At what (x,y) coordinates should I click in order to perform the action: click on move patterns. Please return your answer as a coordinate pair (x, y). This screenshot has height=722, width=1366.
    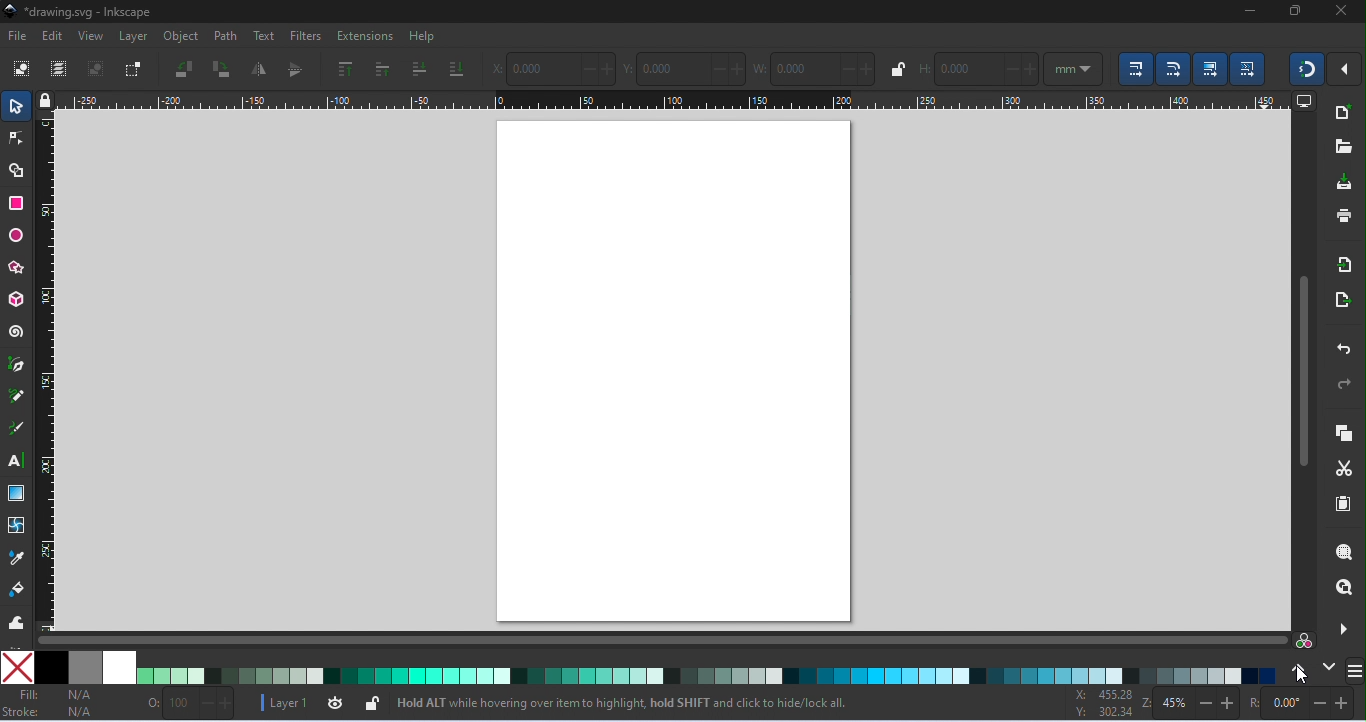
    Looking at the image, I should click on (1249, 69).